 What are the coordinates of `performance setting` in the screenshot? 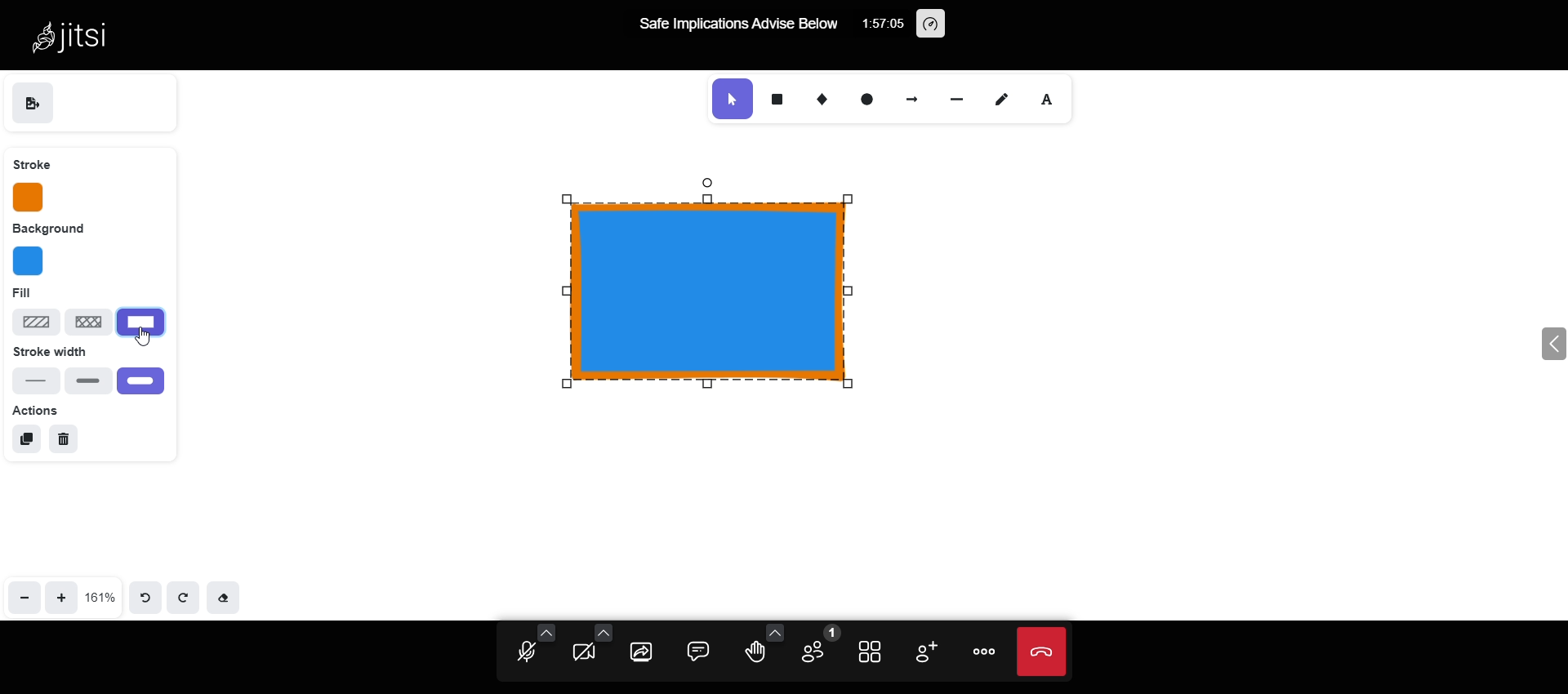 It's located at (942, 24).